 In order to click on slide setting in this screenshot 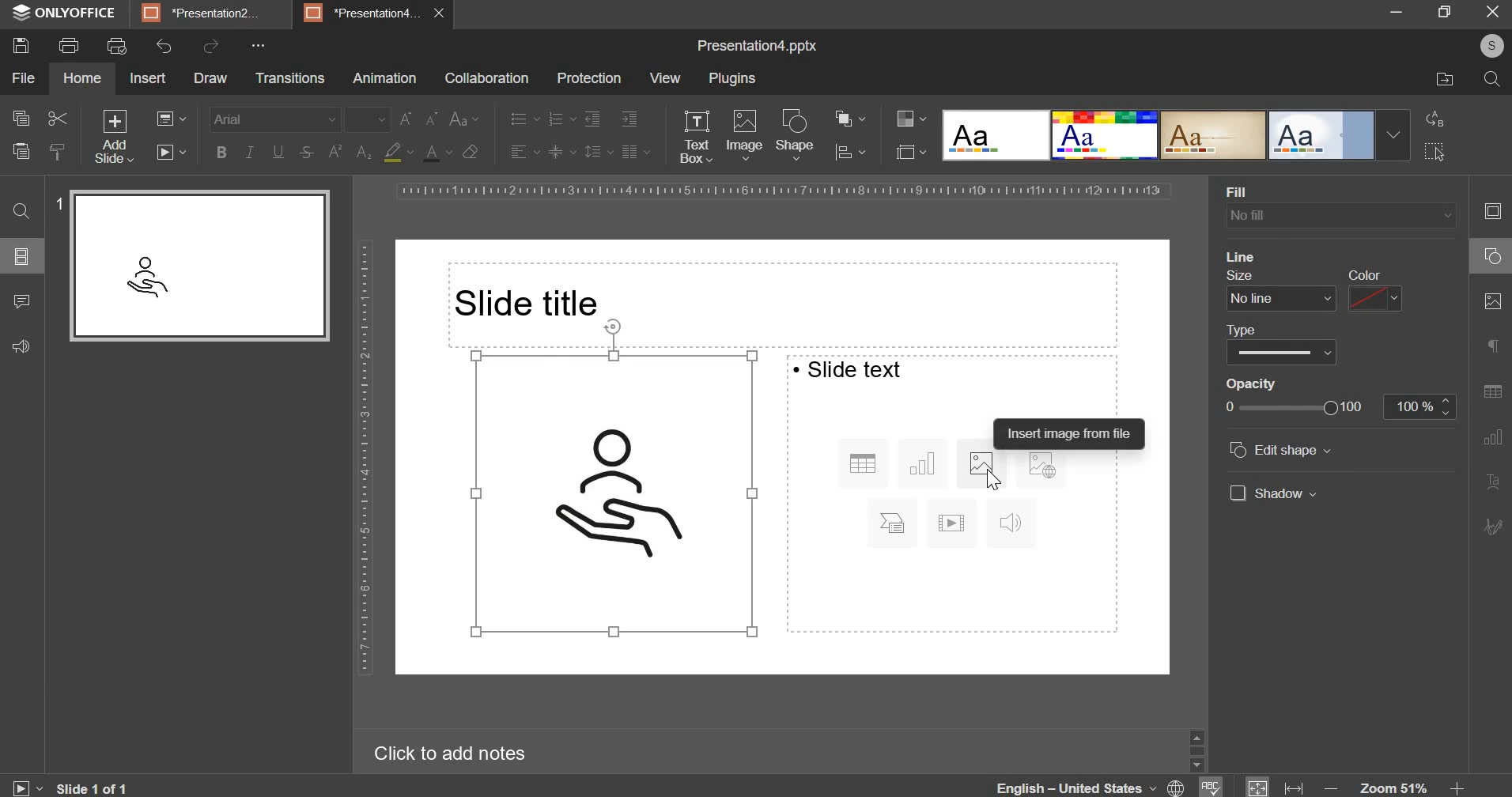, I will do `click(1489, 211)`.